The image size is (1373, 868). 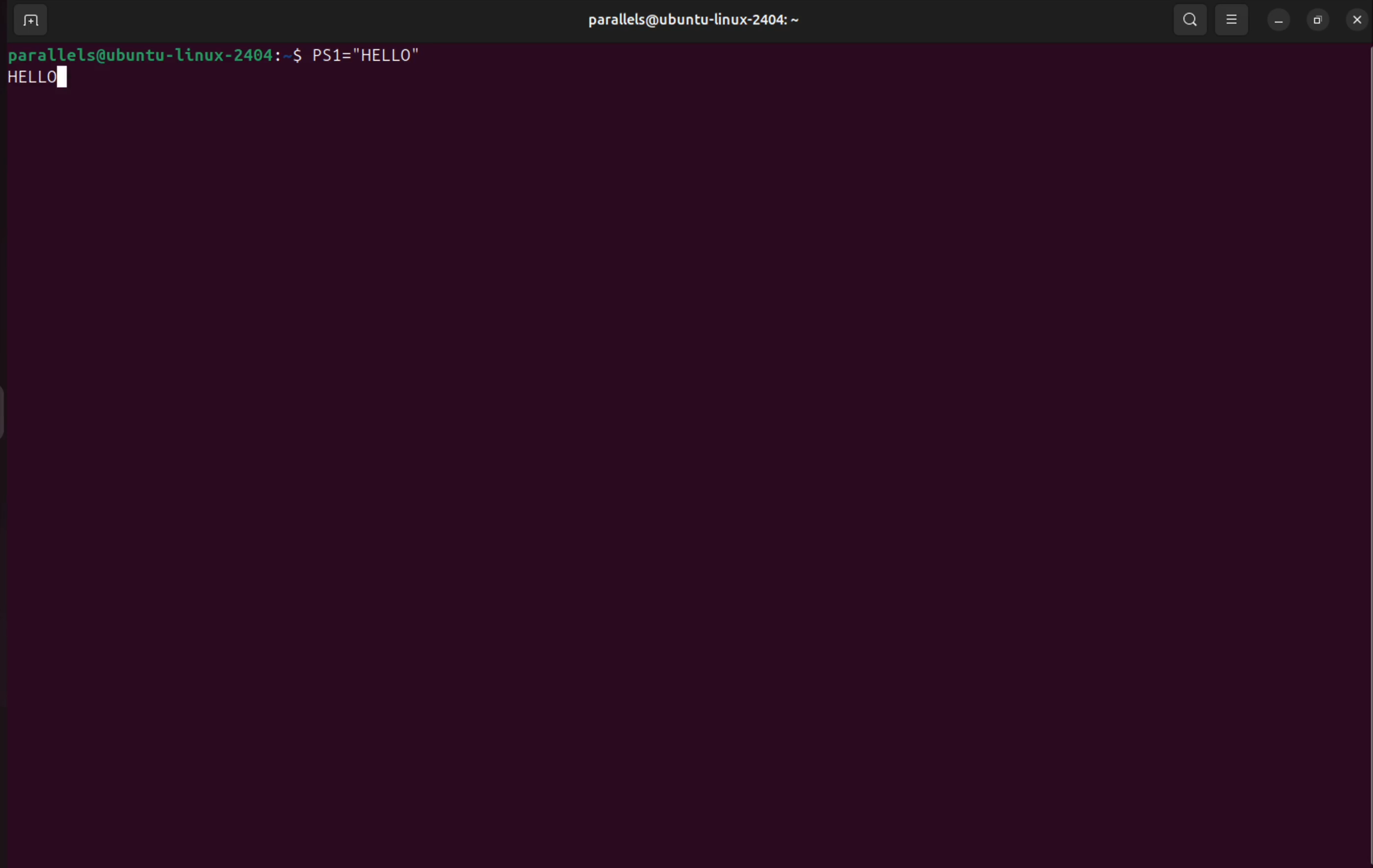 What do you see at coordinates (154, 55) in the screenshot?
I see `bash prompt` at bounding box center [154, 55].